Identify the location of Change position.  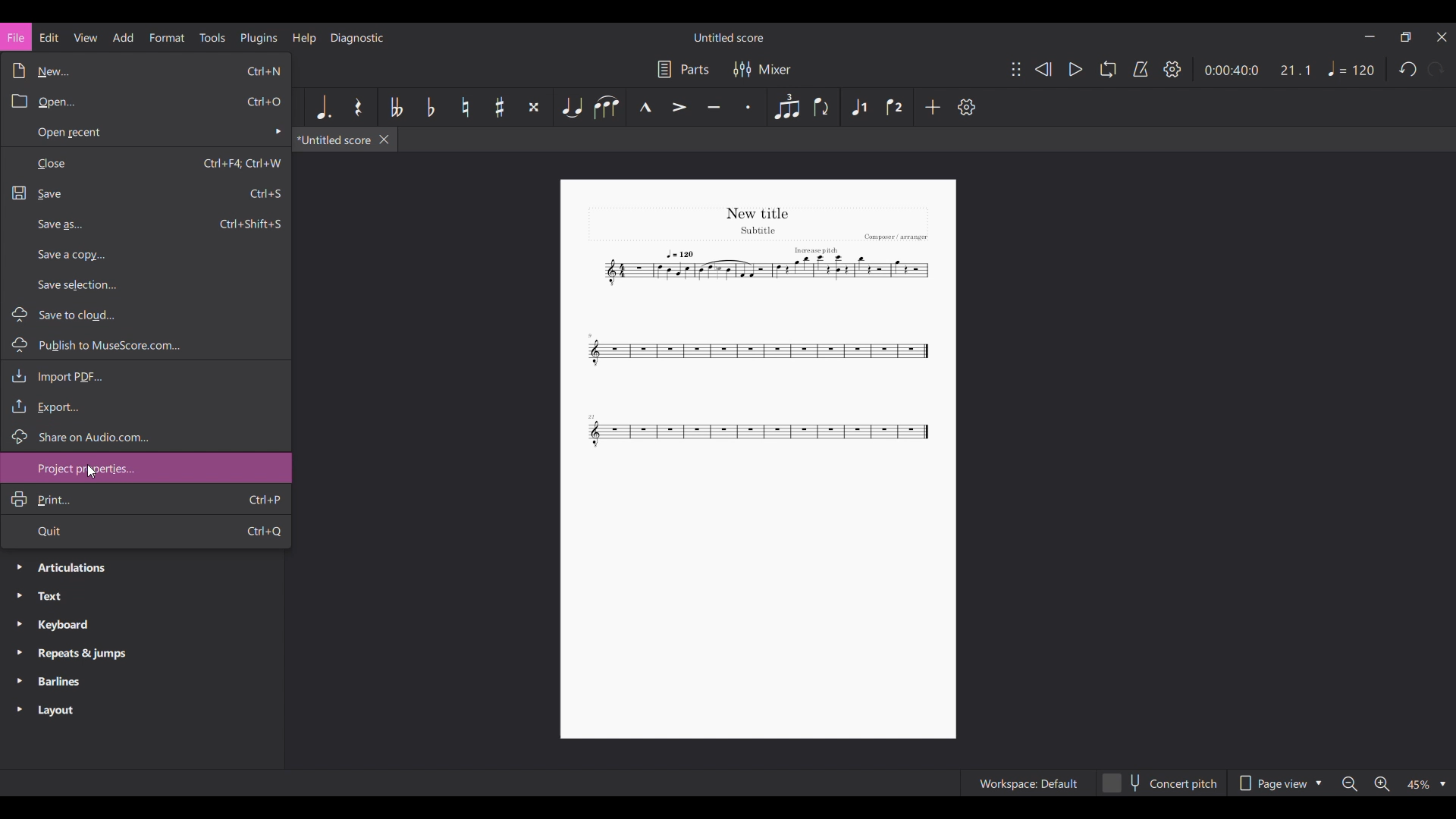
(1017, 69).